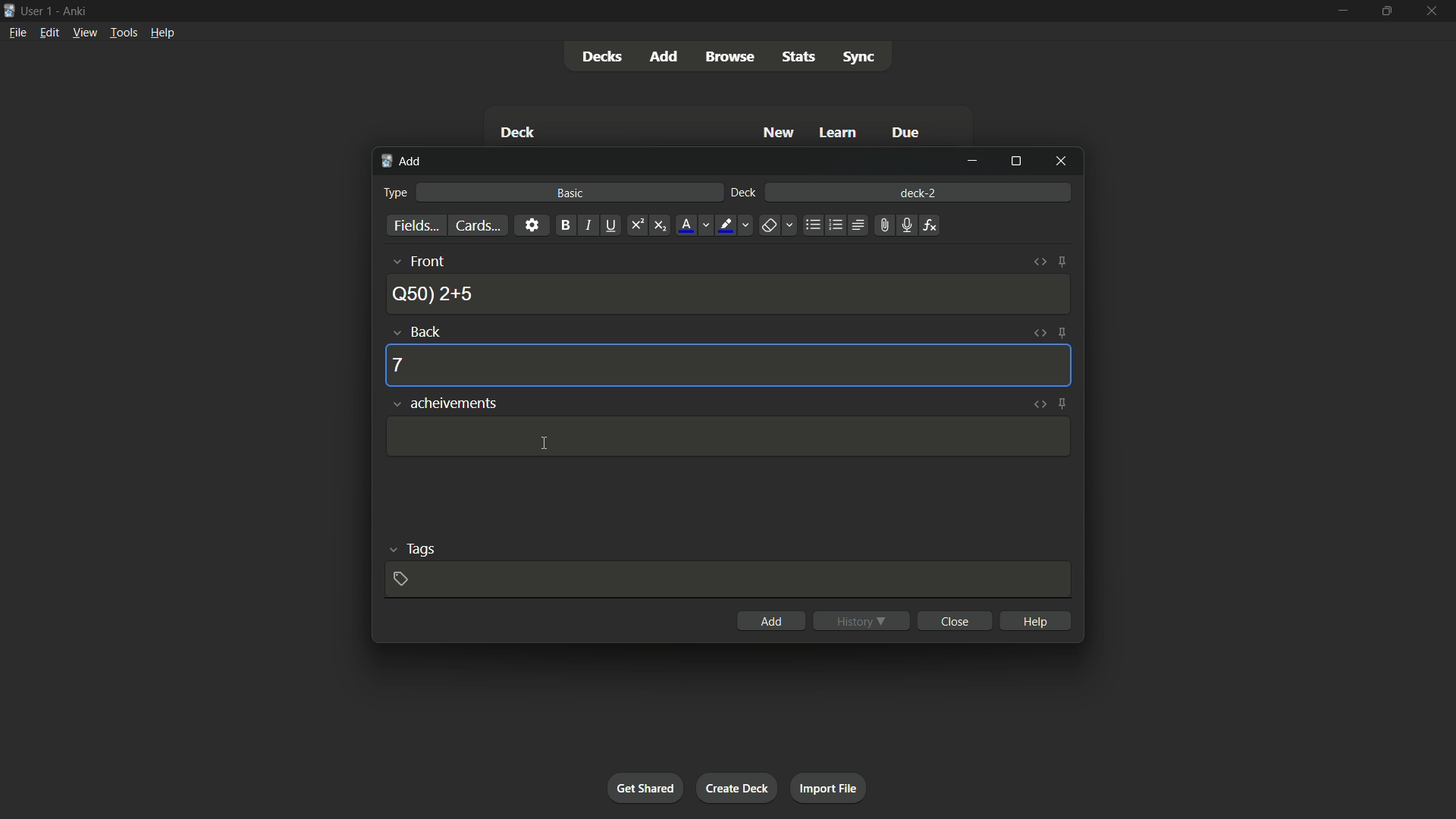 The height and width of the screenshot is (819, 1456). What do you see at coordinates (830, 789) in the screenshot?
I see `import file` at bounding box center [830, 789].